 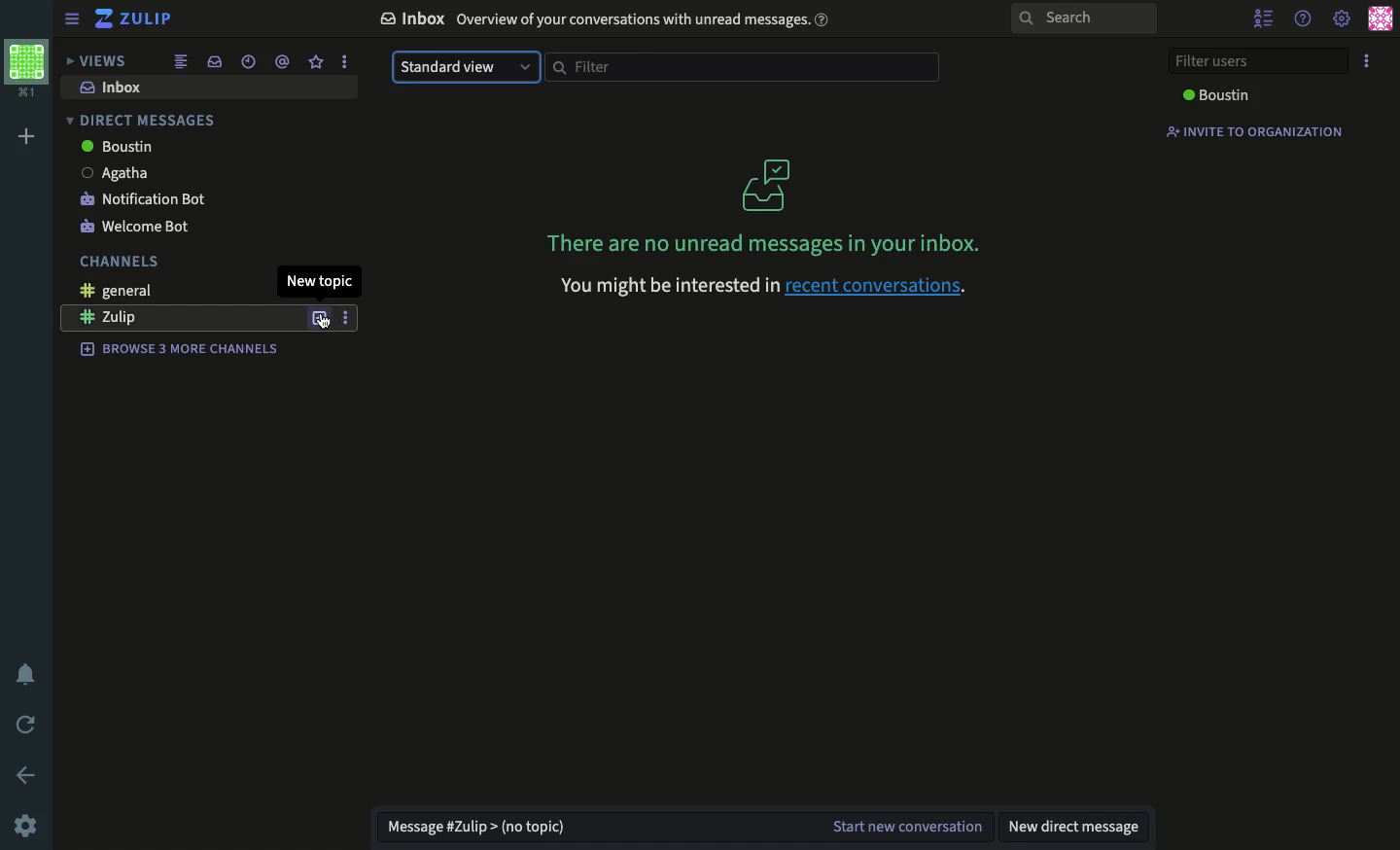 What do you see at coordinates (466, 67) in the screenshot?
I see `standard view` at bounding box center [466, 67].